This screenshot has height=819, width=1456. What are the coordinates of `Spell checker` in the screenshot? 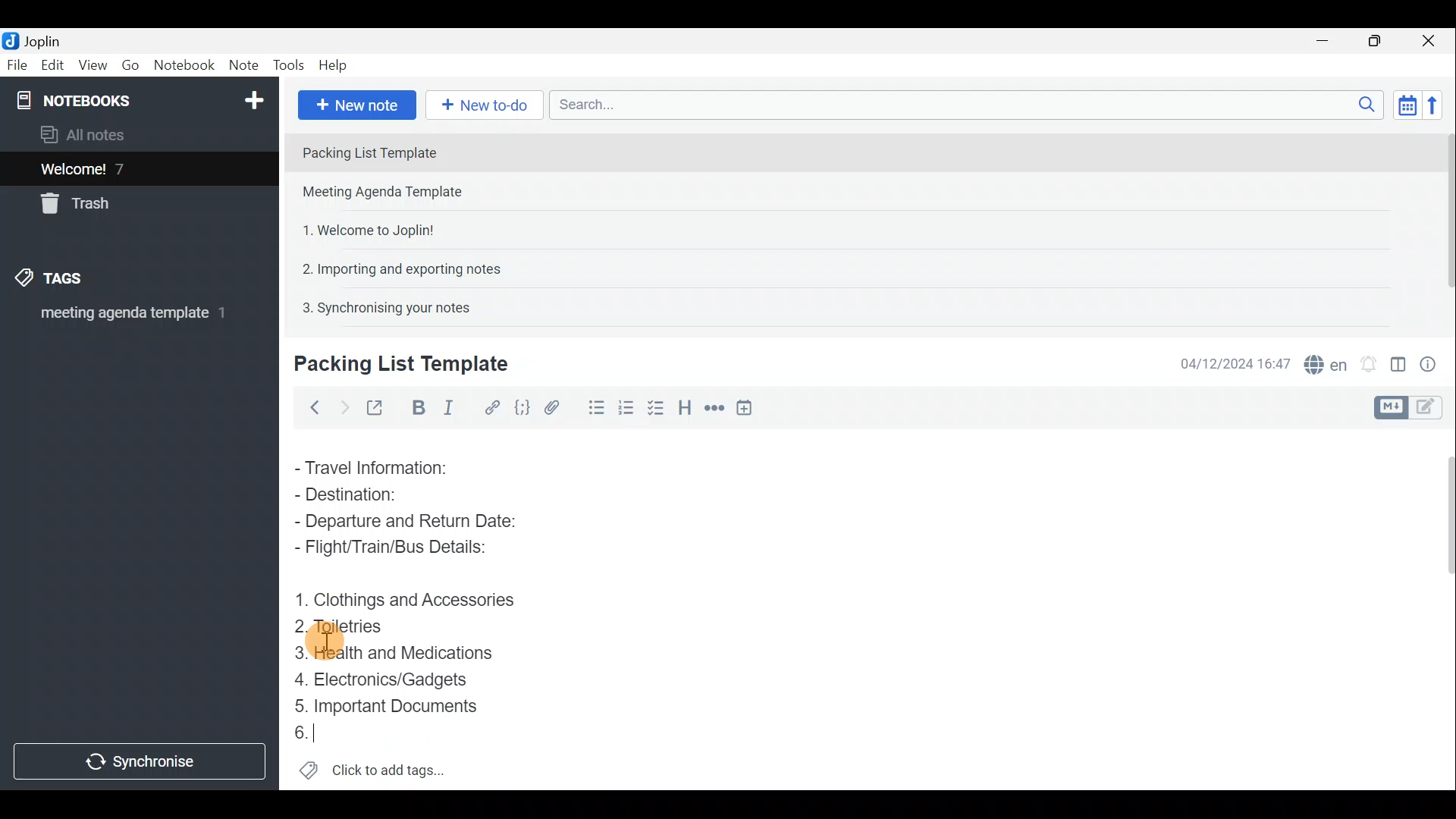 It's located at (1322, 362).